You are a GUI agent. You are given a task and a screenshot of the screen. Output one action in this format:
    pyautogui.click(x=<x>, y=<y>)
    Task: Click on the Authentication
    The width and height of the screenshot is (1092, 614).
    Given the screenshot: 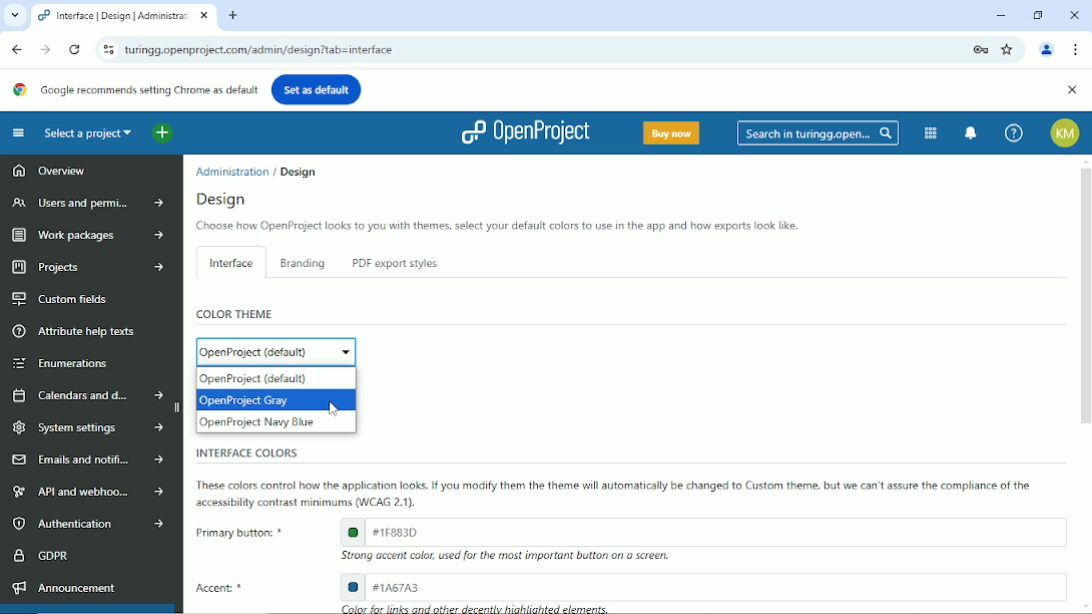 What is the action you would take?
    pyautogui.click(x=86, y=524)
    